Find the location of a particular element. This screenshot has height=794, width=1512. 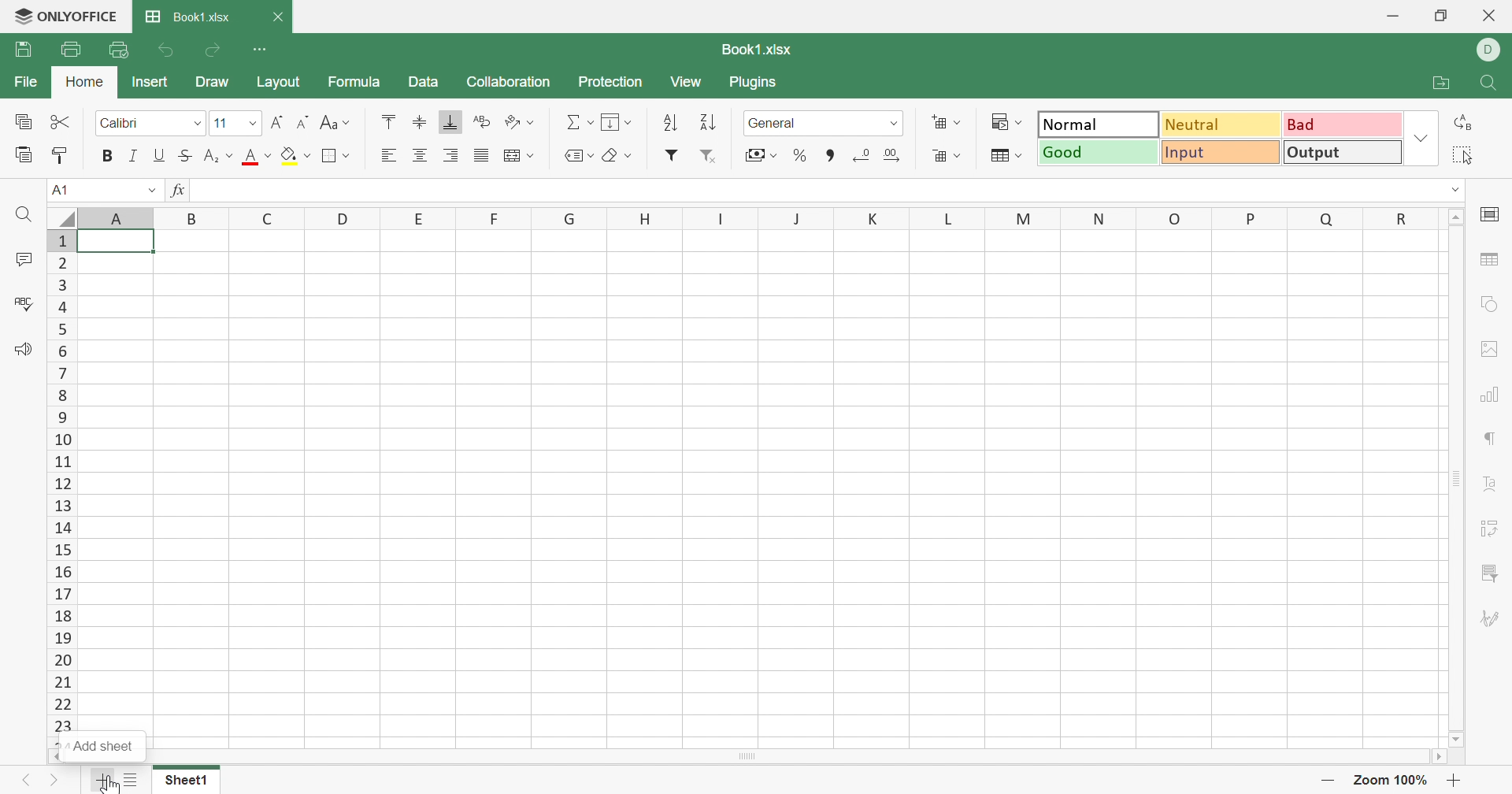

Filter is located at coordinates (670, 154).